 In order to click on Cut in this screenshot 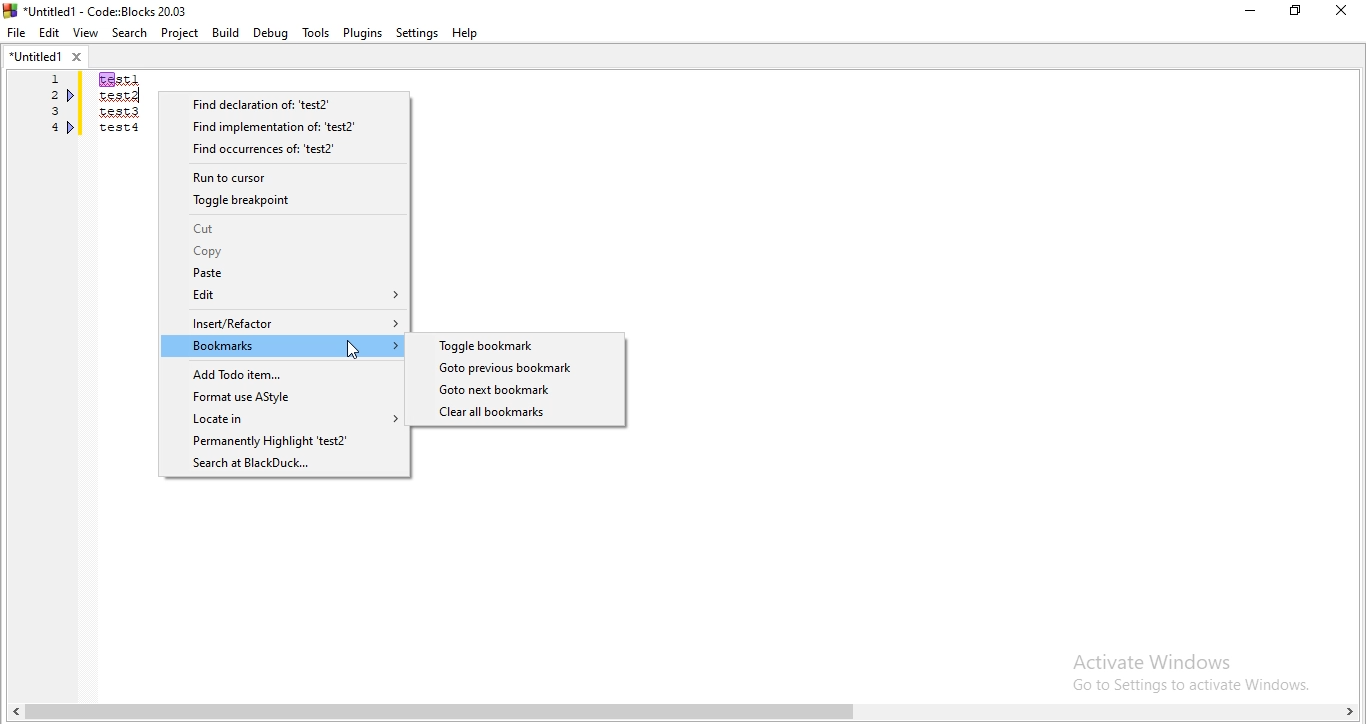, I will do `click(284, 228)`.